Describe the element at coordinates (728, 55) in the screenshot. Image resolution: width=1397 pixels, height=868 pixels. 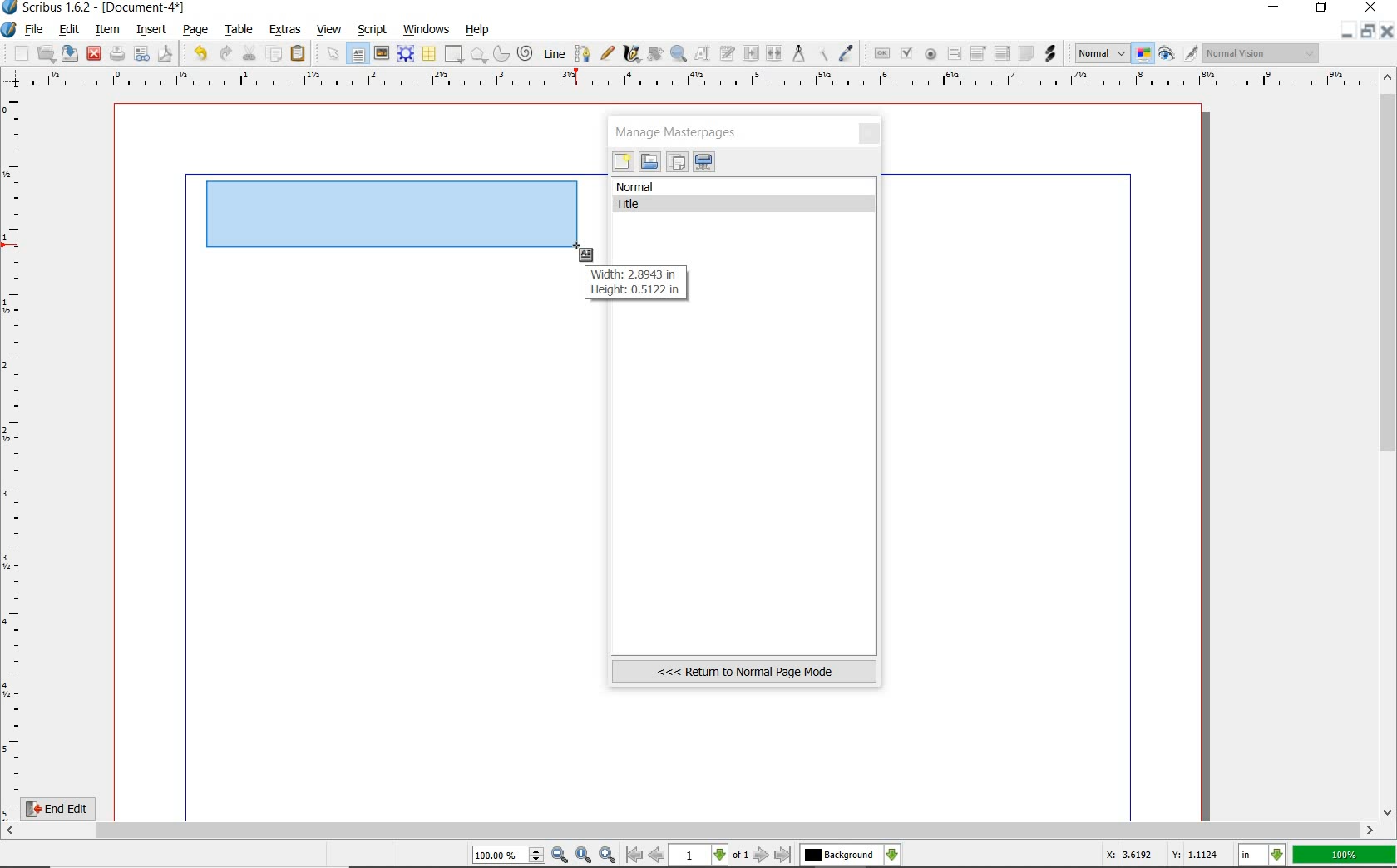
I see `edit text with story editor` at that location.